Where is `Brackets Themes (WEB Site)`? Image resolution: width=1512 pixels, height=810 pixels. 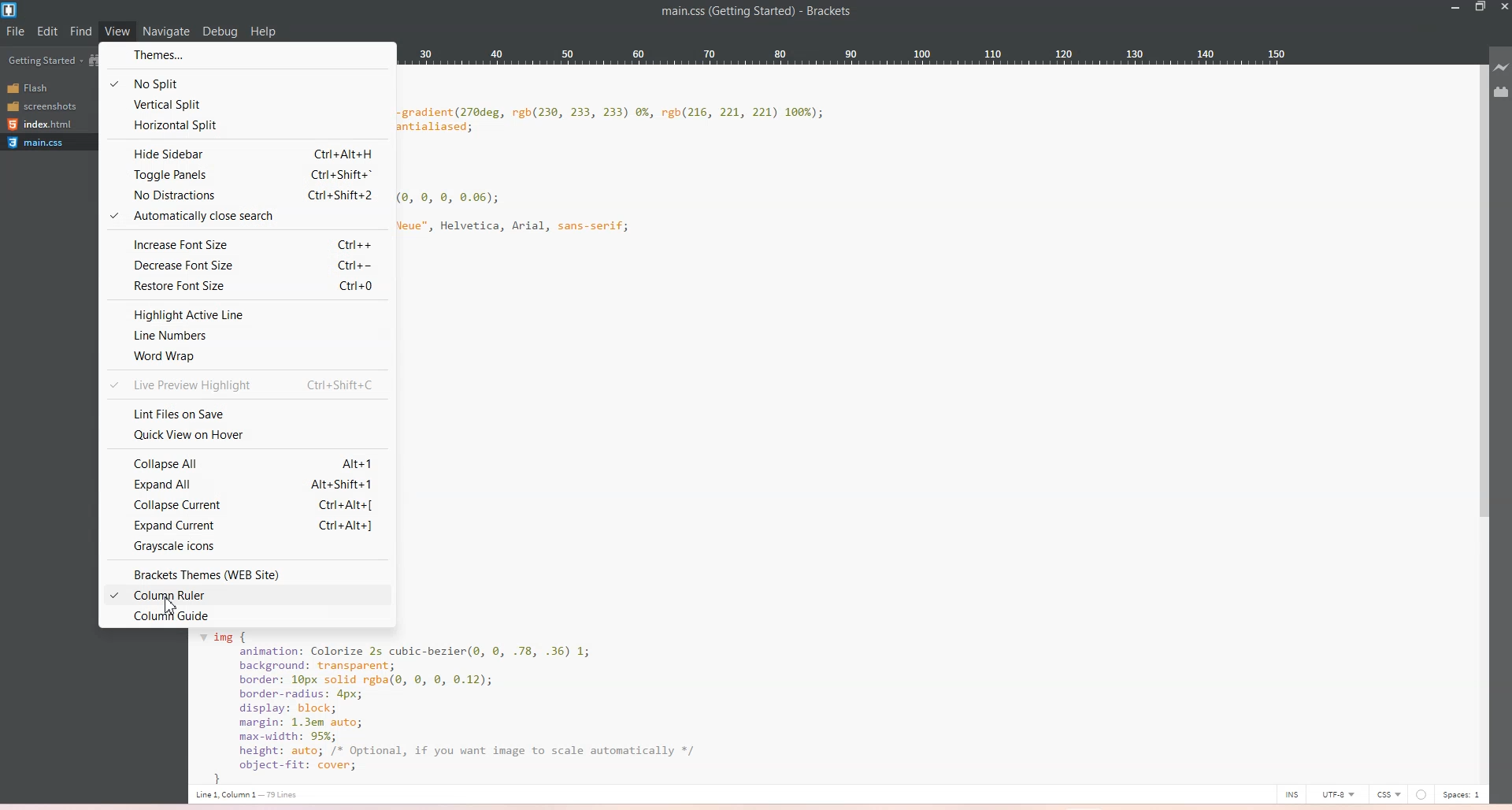 Brackets Themes (WEB Site) is located at coordinates (246, 573).